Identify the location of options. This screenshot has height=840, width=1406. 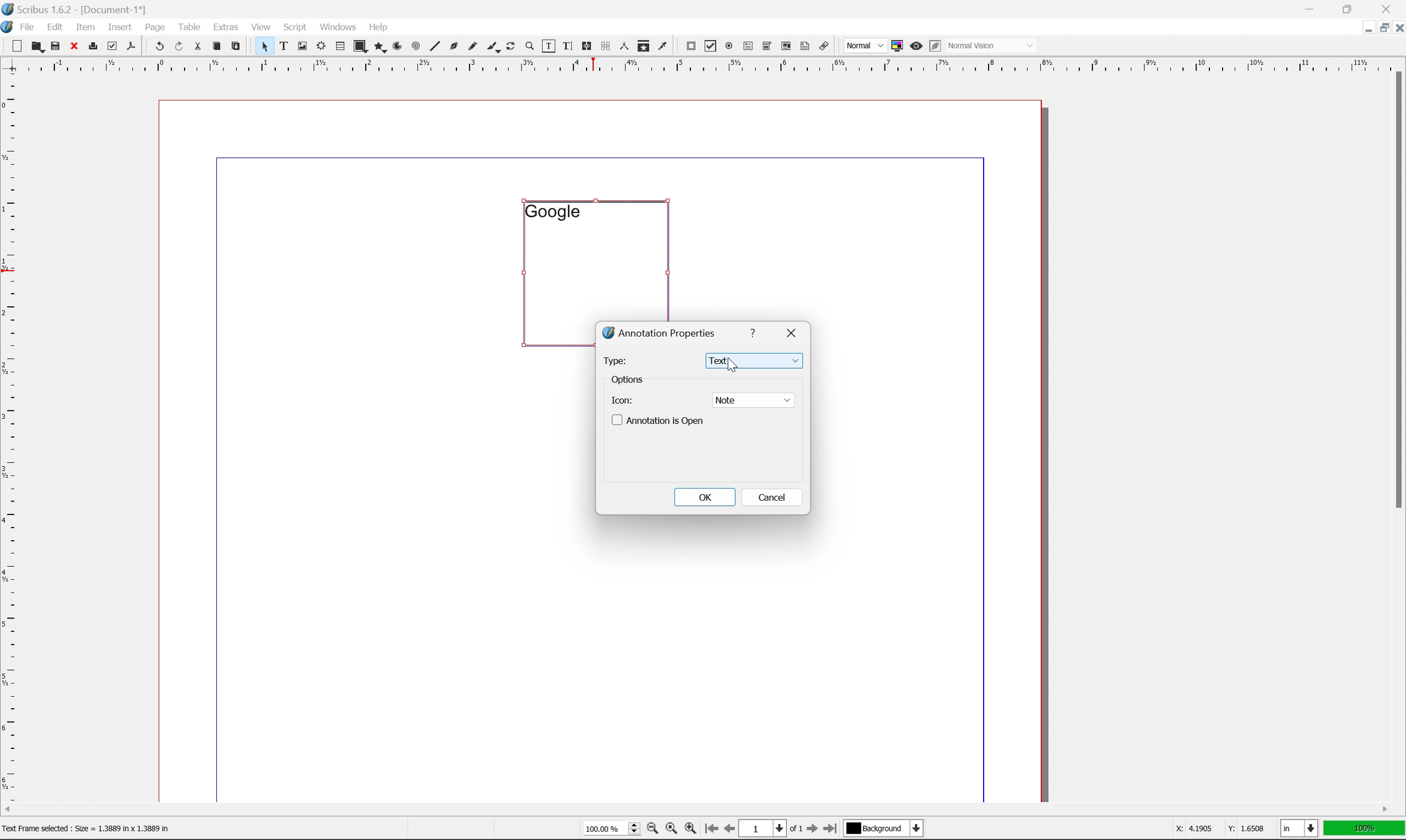
(629, 380).